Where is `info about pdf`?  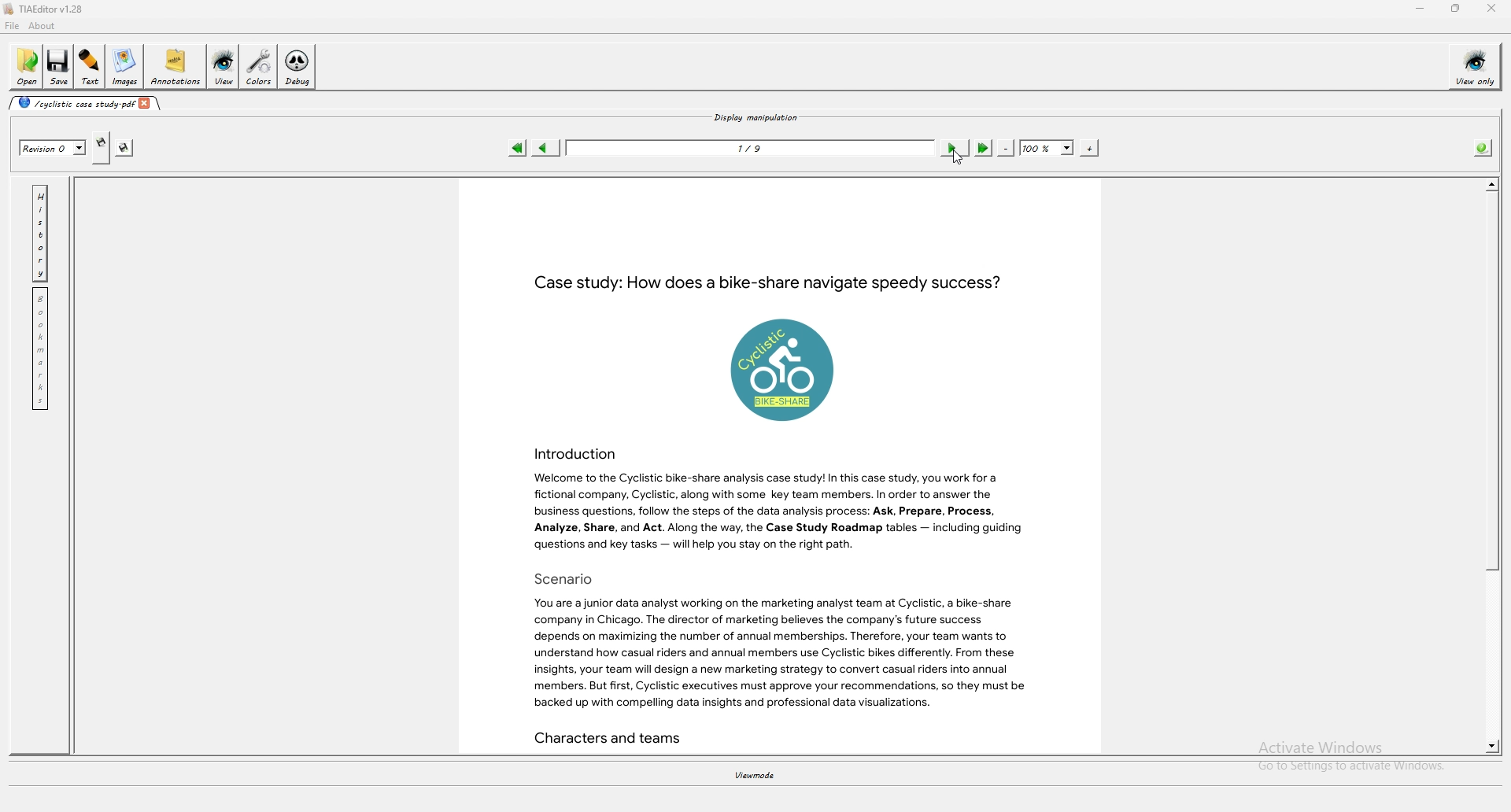
info about pdf is located at coordinates (1483, 147).